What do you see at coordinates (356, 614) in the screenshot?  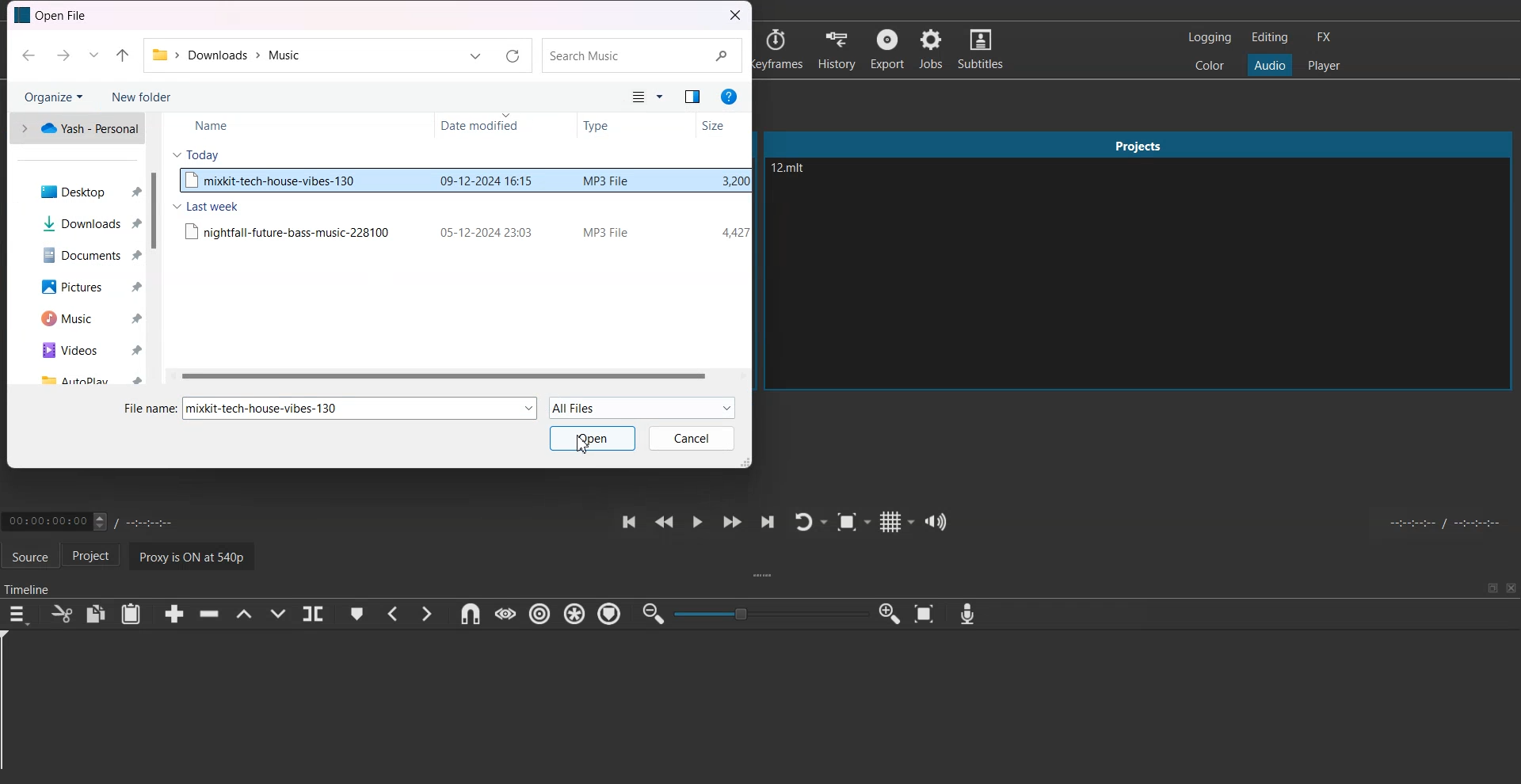 I see `Create marker` at bounding box center [356, 614].